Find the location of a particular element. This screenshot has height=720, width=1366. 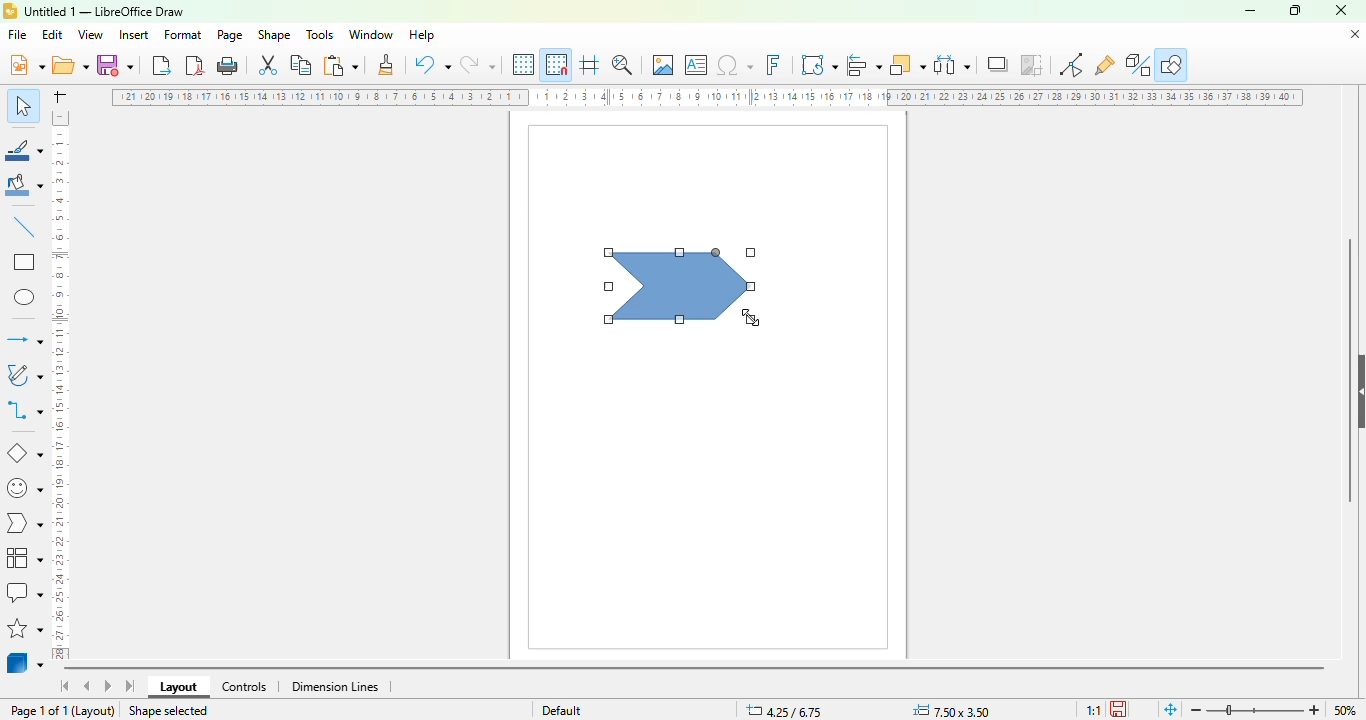

copy is located at coordinates (301, 65).